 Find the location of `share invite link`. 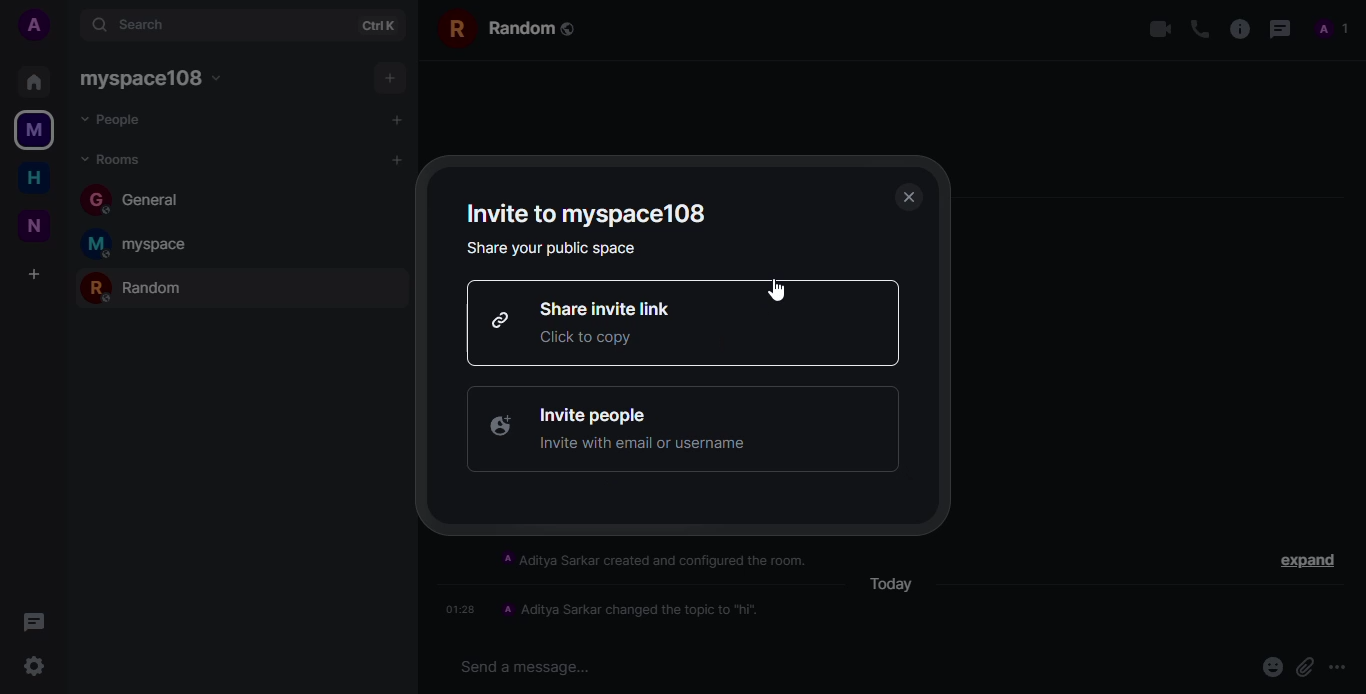

share invite link is located at coordinates (682, 322).